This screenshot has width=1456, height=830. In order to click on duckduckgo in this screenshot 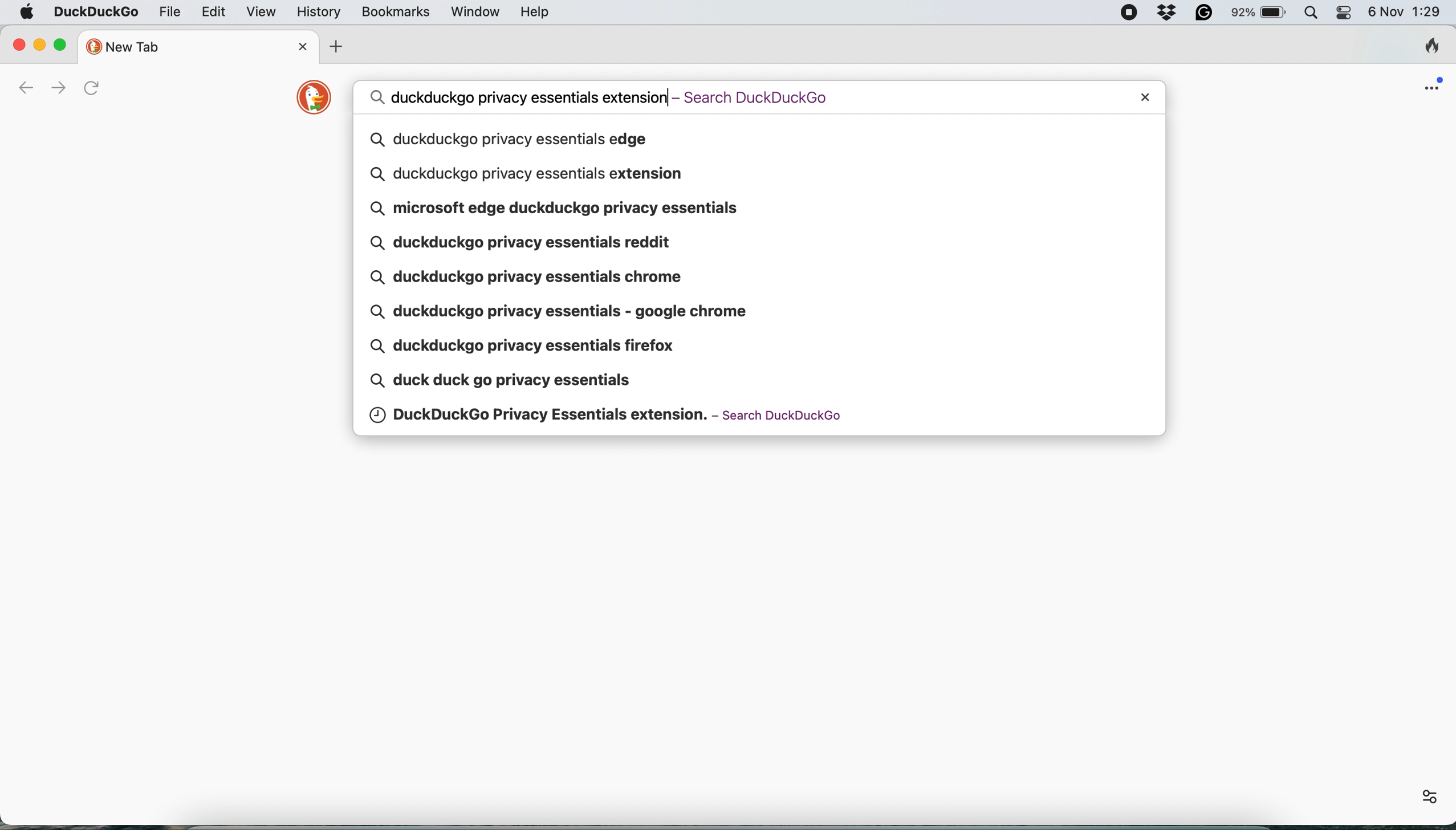, I will do `click(95, 13)`.